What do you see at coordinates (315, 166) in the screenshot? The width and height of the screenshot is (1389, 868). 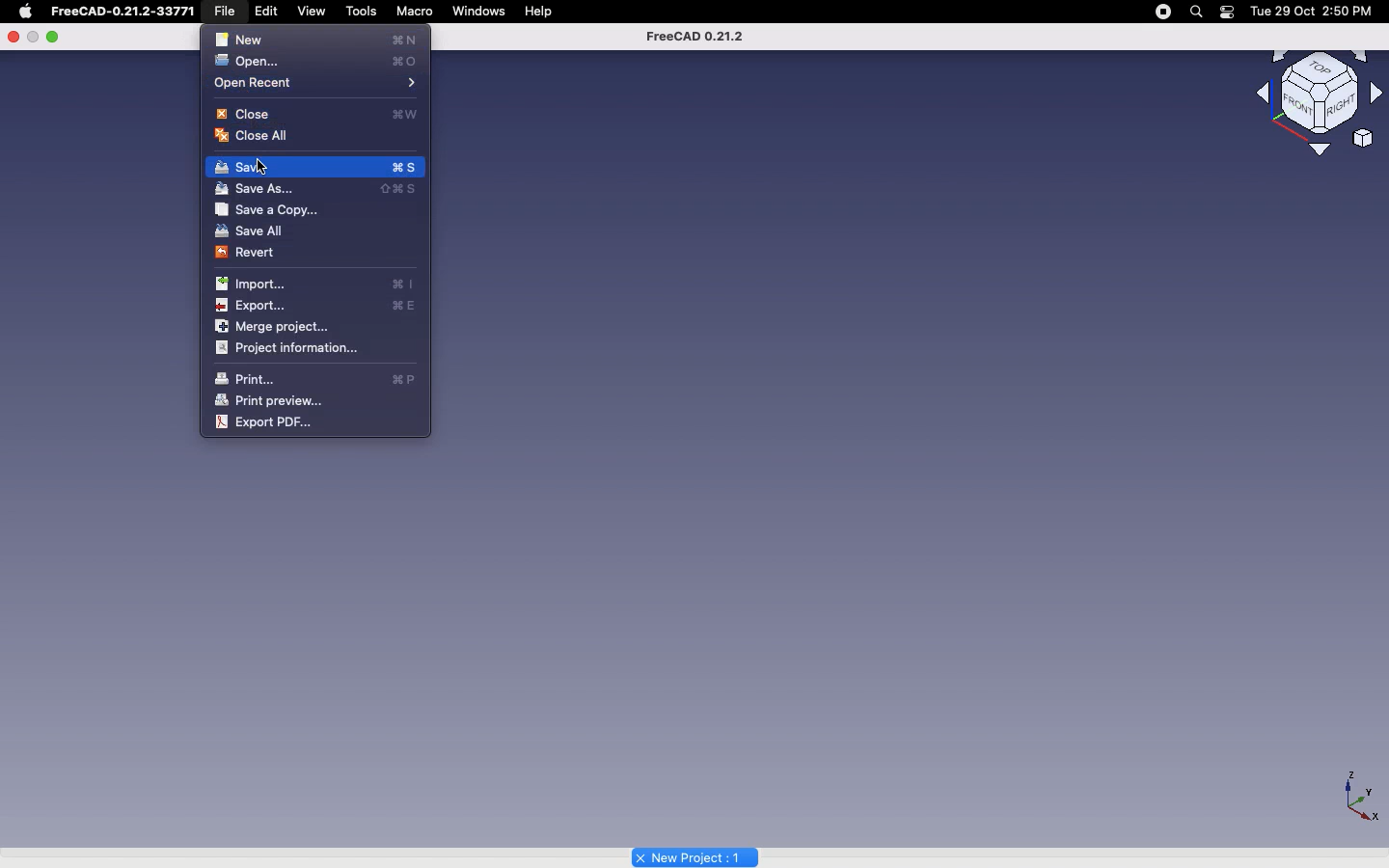 I see `Save ` at bounding box center [315, 166].